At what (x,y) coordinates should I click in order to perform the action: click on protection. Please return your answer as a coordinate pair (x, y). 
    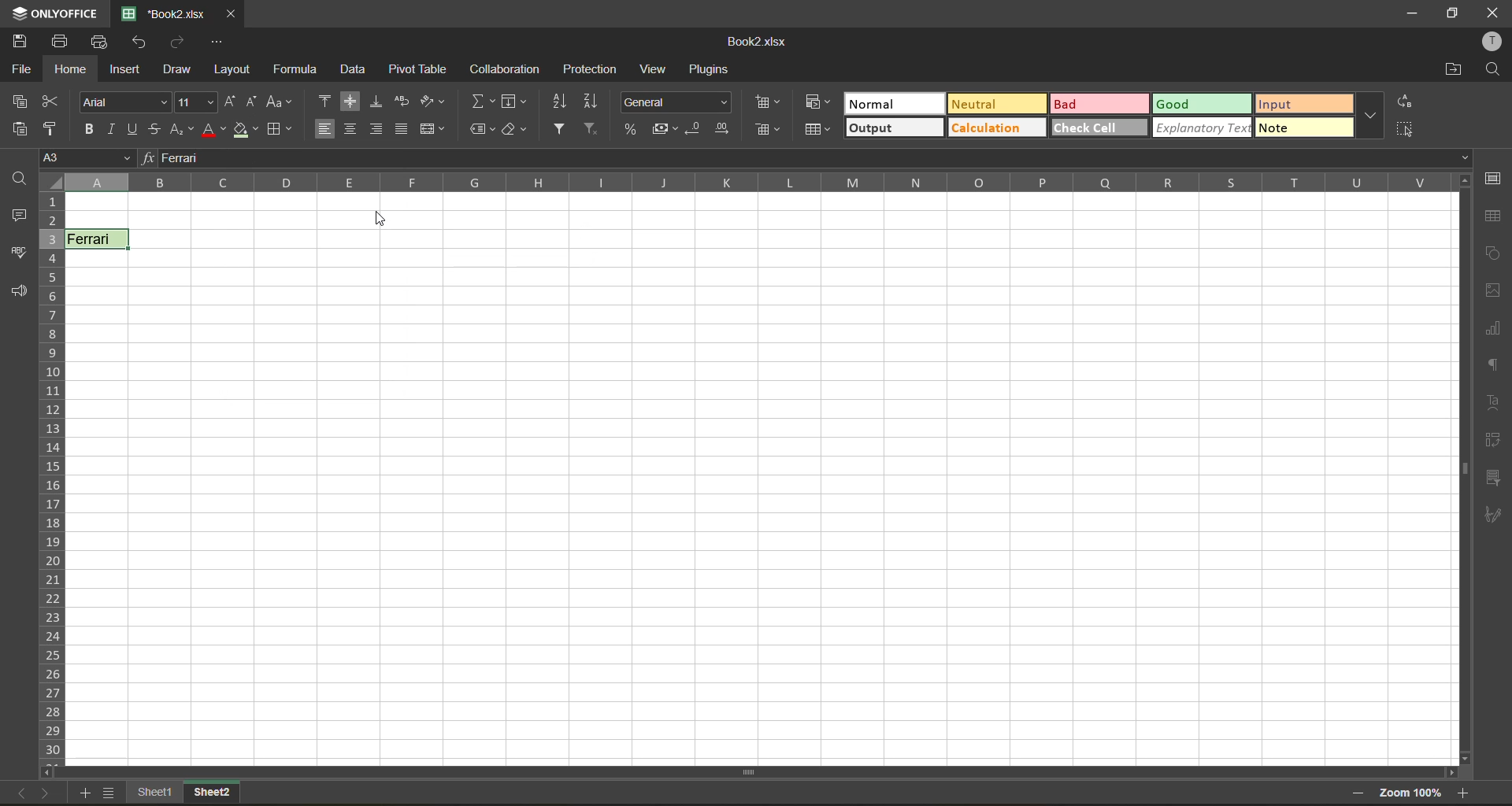
    Looking at the image, I should click on (591, 68).